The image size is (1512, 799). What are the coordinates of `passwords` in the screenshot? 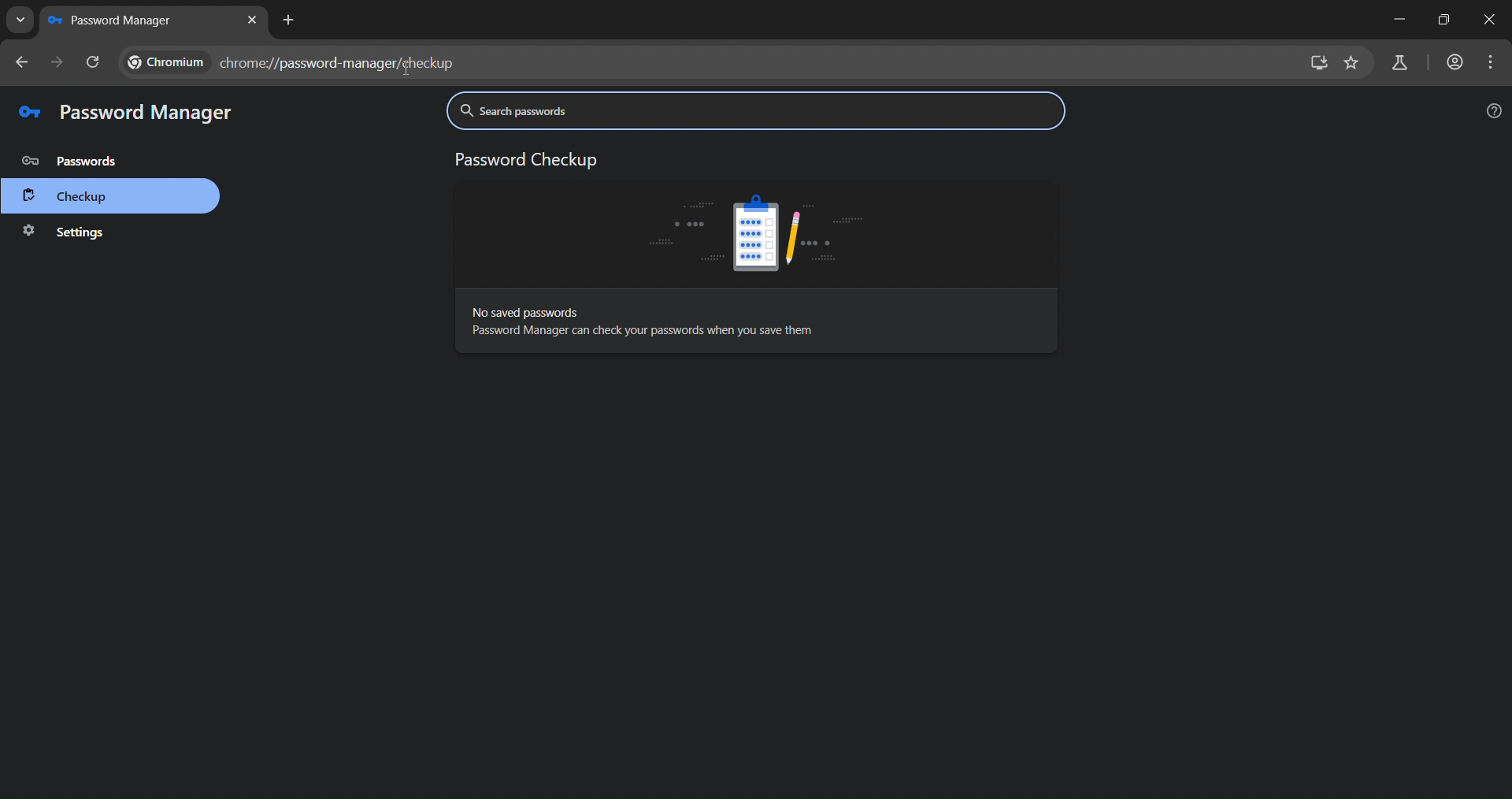 It's located at (69, 162).